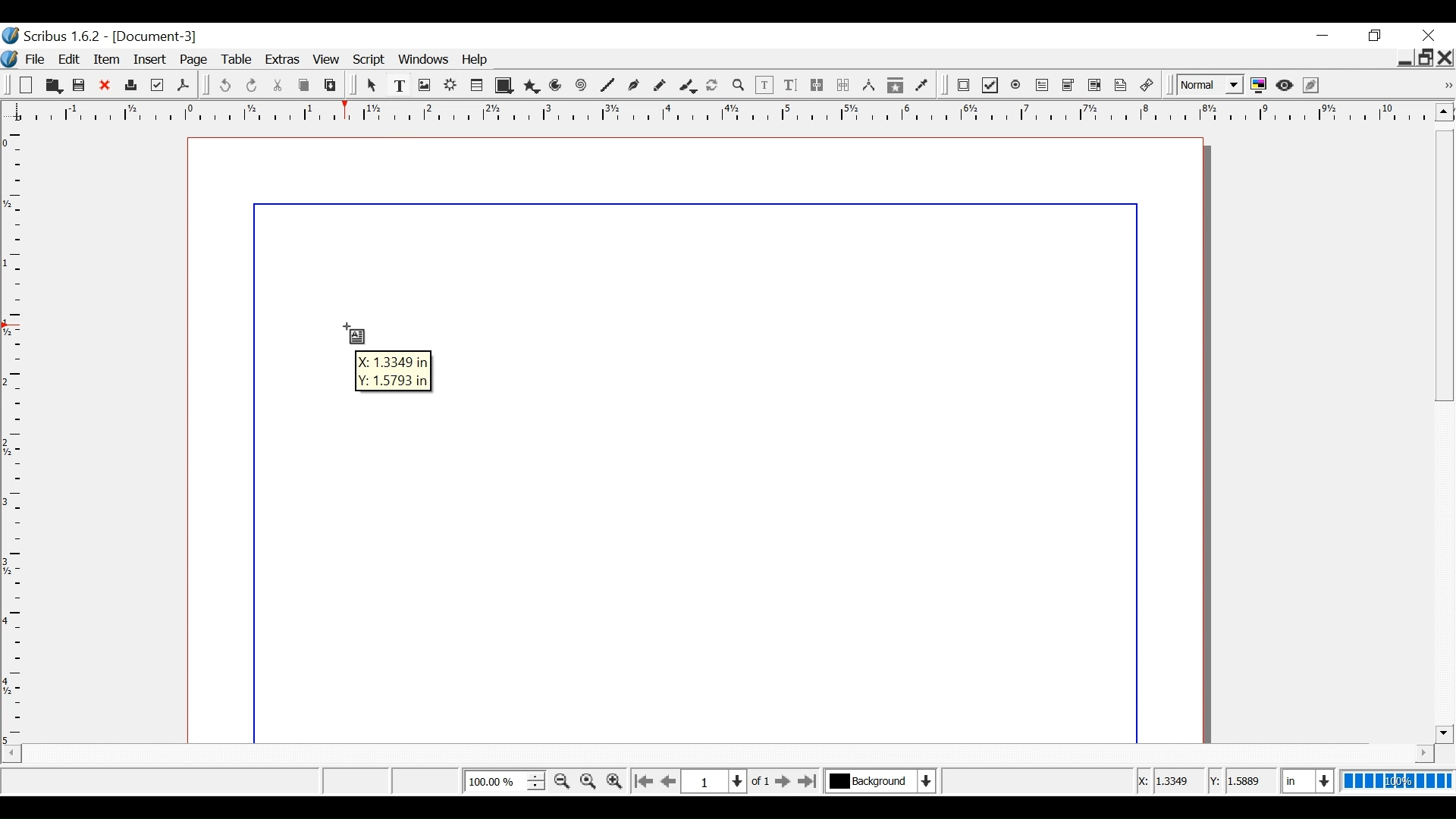 The height and width of the screenshot is (819, 1456). What do you see at coordinates (253, 84) in the screenshot?
I see `Redo` at bounding box center [253, 84].